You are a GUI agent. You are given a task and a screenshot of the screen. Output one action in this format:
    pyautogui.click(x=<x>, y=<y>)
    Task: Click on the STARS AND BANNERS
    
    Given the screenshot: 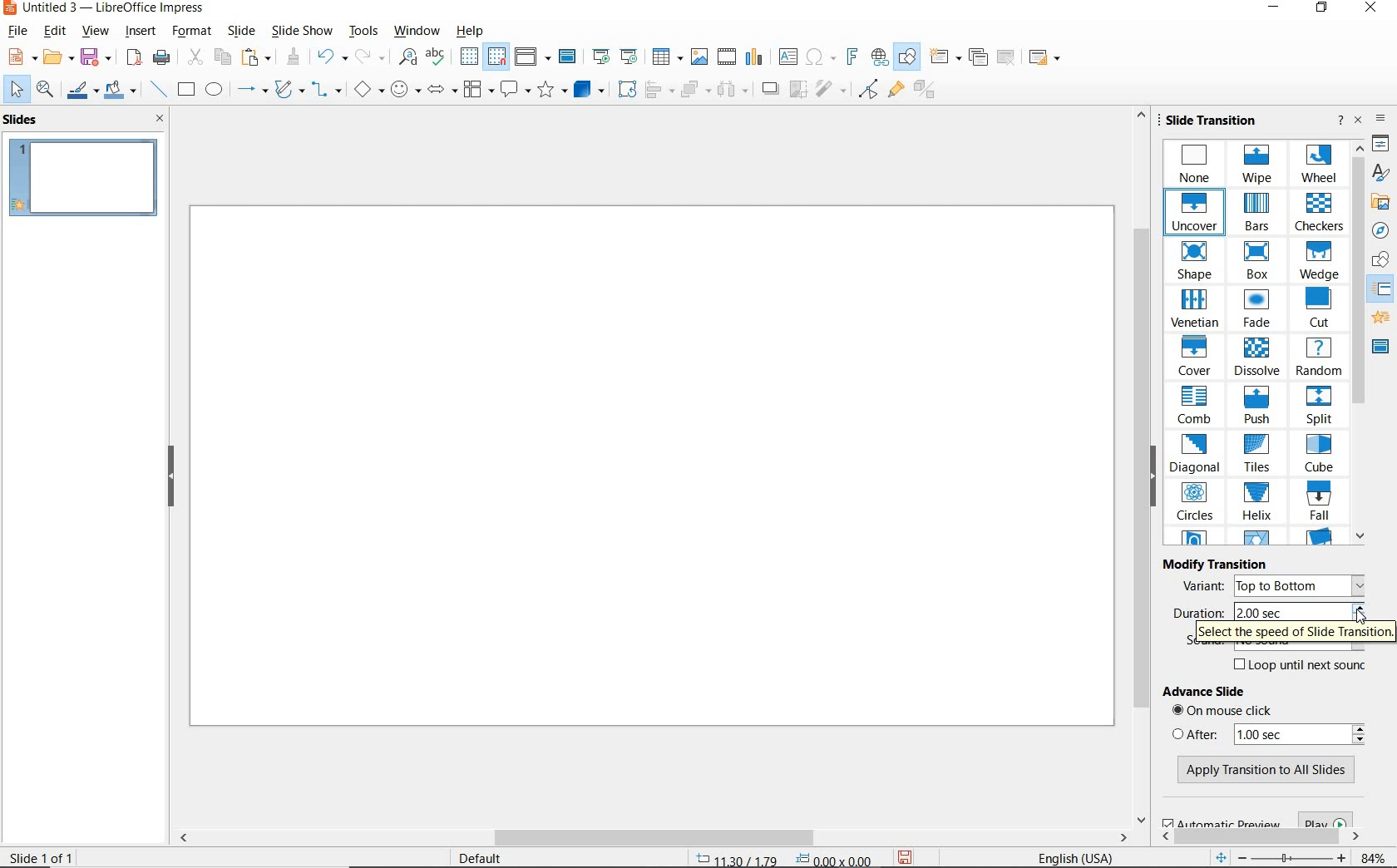 What is the action you would take?
    pyautogui.click(x=550, y=90)
    